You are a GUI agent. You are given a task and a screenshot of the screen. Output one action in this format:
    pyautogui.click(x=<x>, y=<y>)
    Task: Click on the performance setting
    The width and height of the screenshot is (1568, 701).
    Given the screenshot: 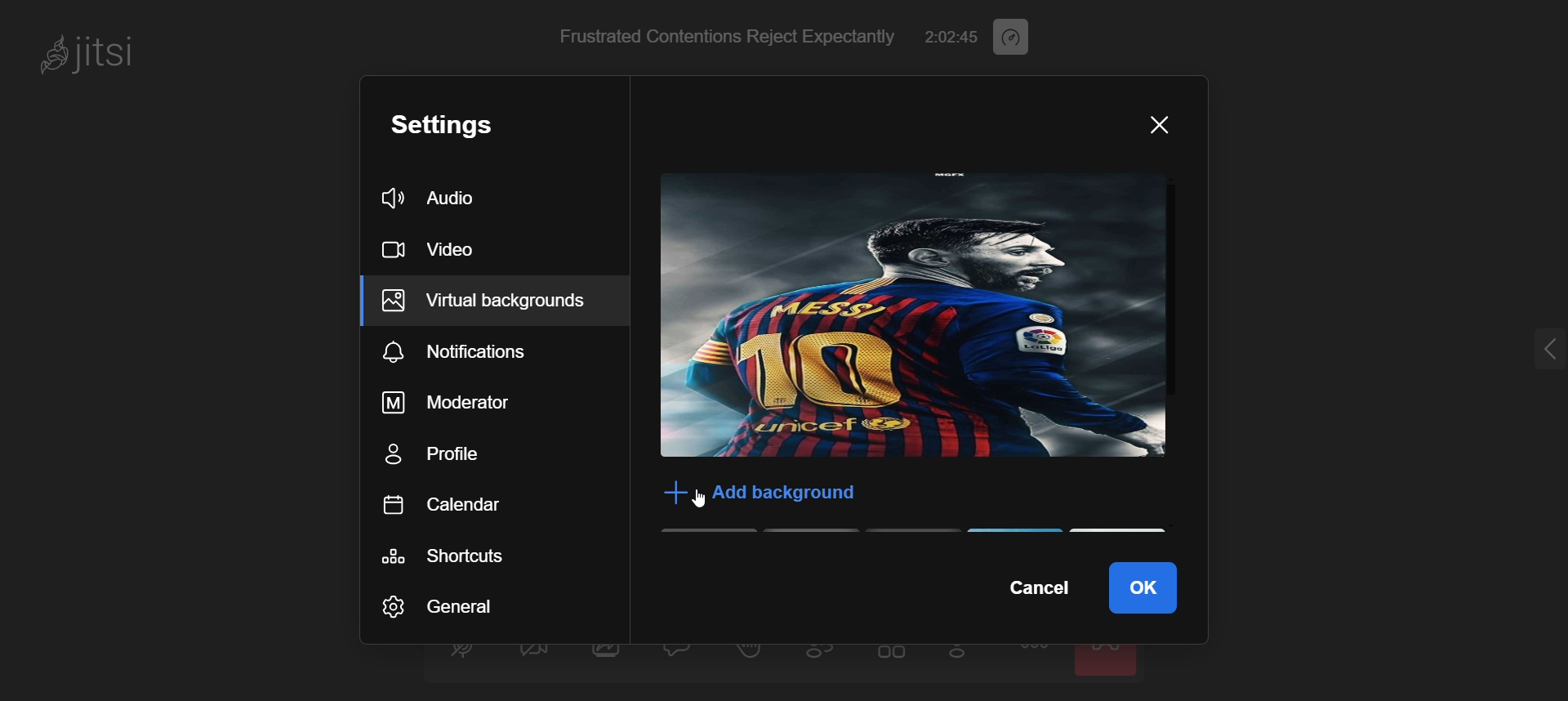 What is the action you would take?
    pyautogui.click(x=1016, y=34)
    